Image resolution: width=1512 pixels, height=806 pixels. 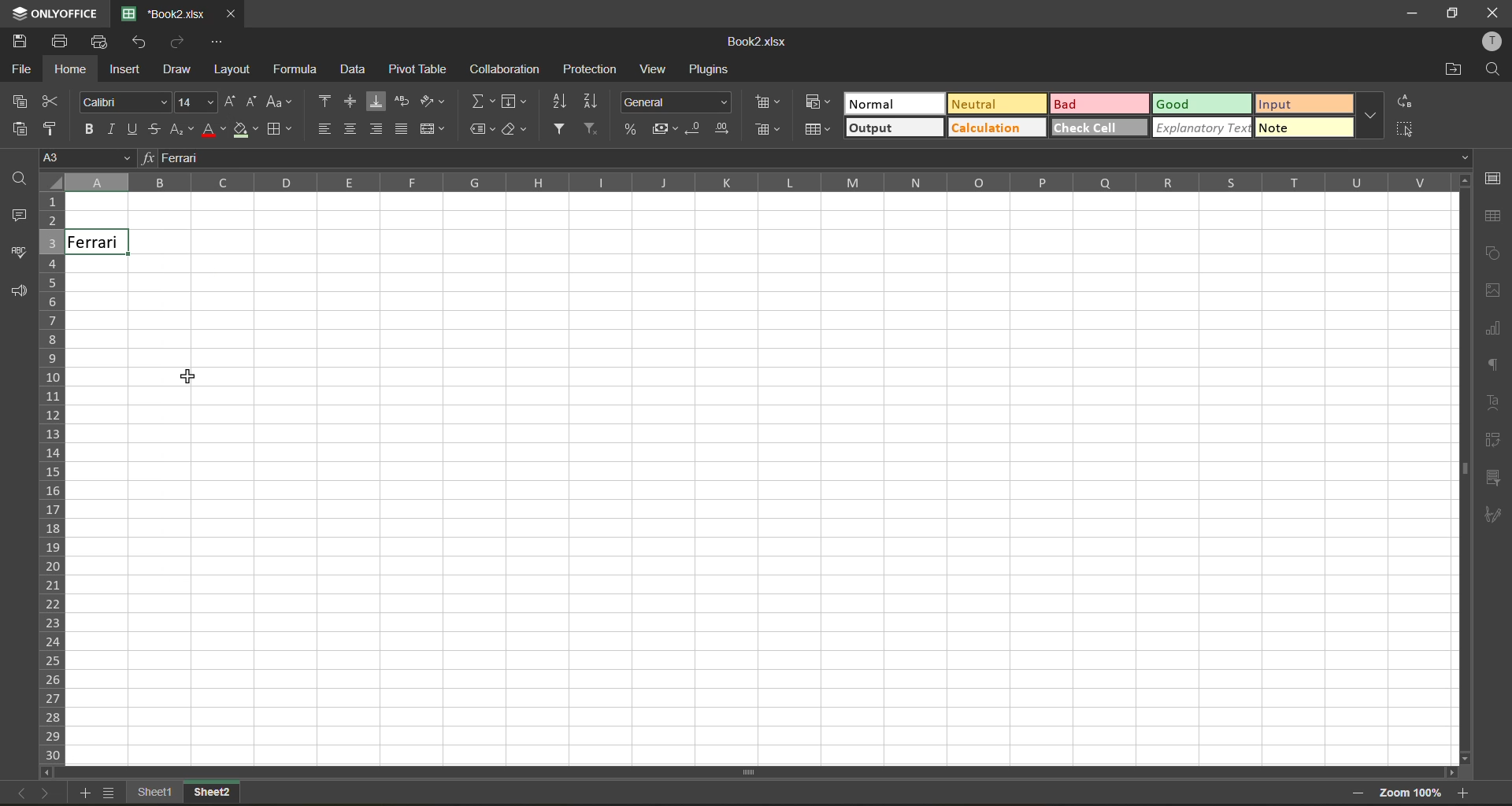 I want to click on strikethrough, so click(x=160, y=130).